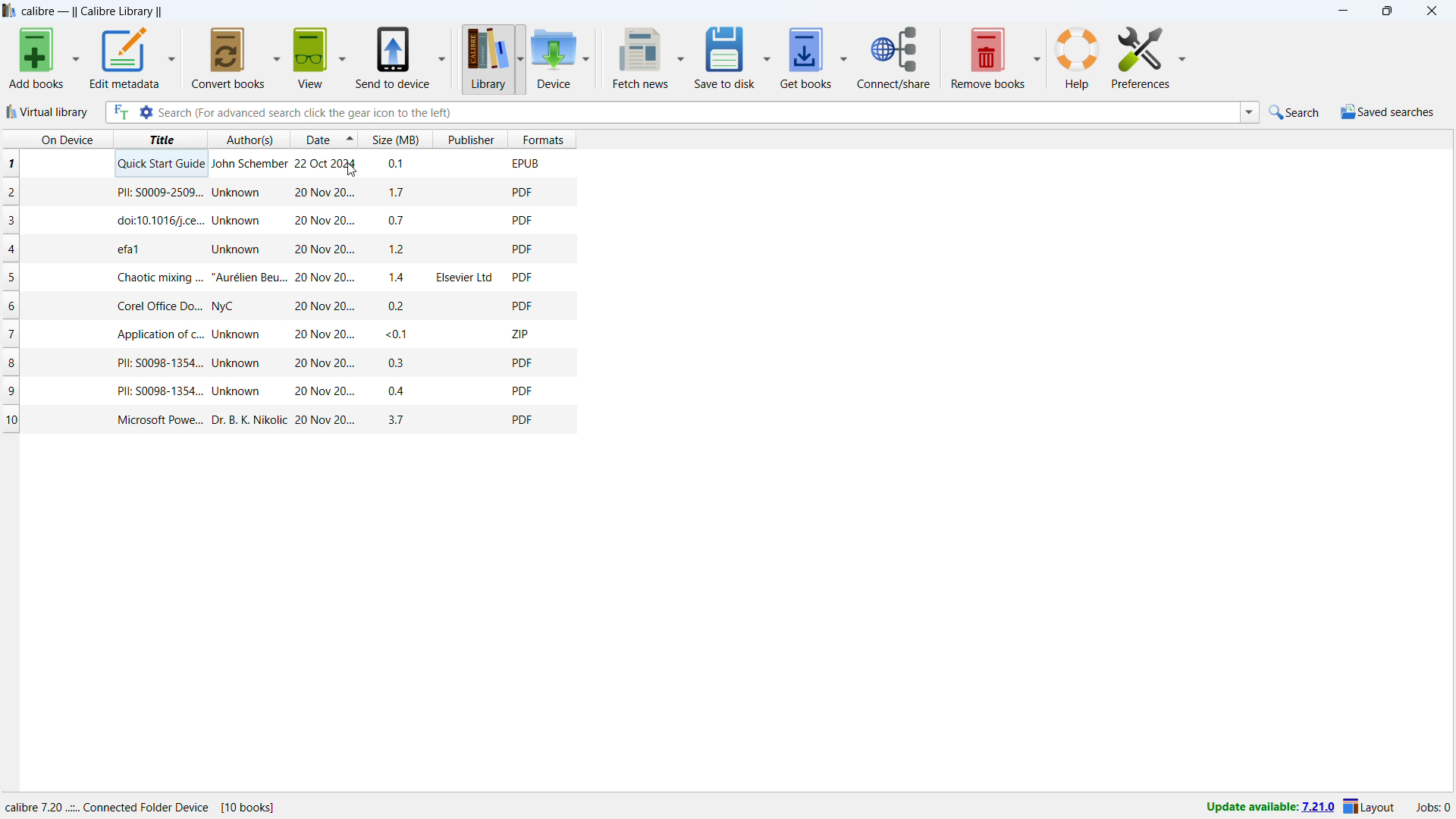 This screenshot has width=1456, height=819. Describe the element at coordinates (1140, 58) in the screenshot. I see `preferences options` at that location.